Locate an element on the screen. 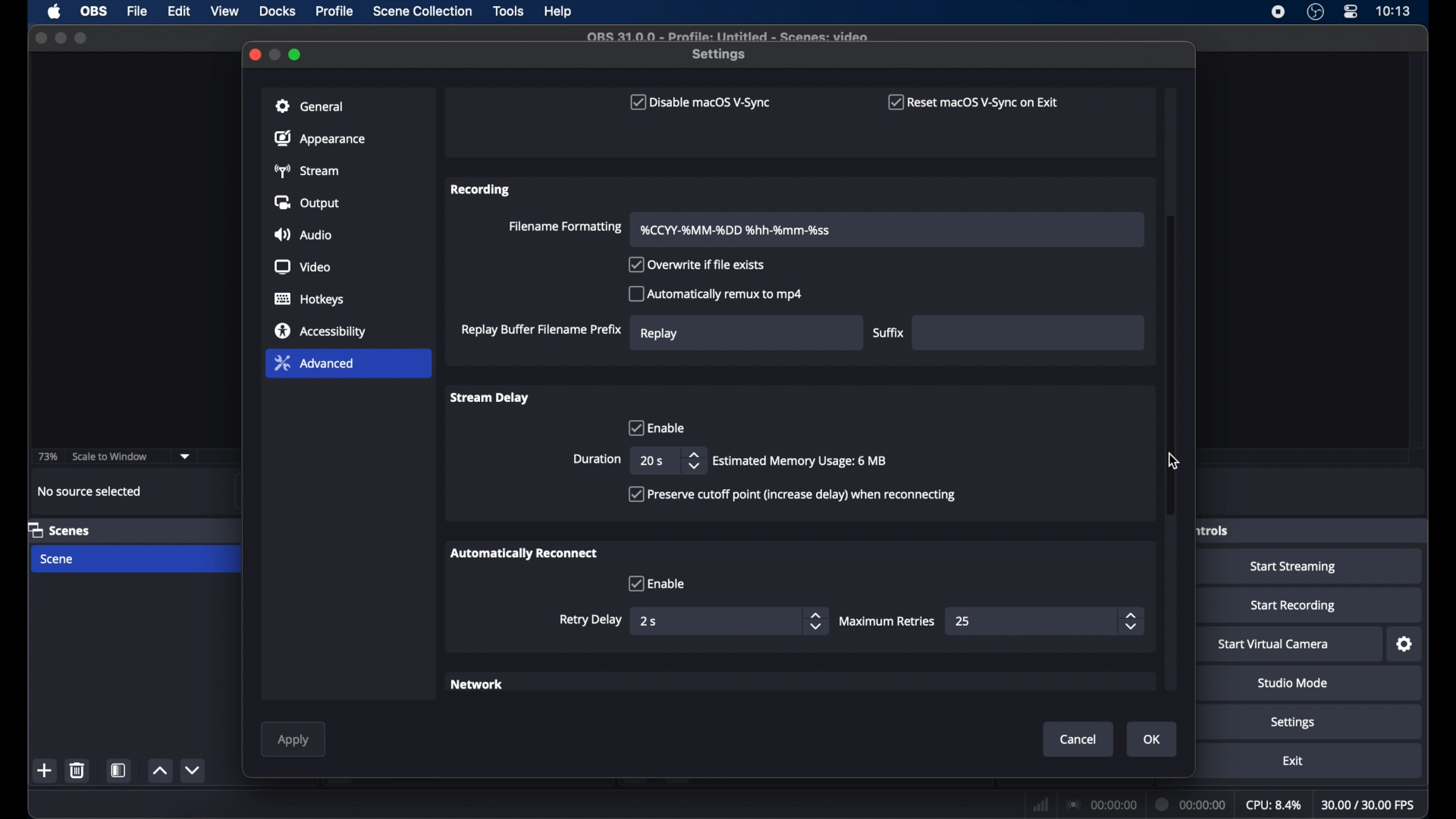  stepper buttons is located at coordinates (693, 460).